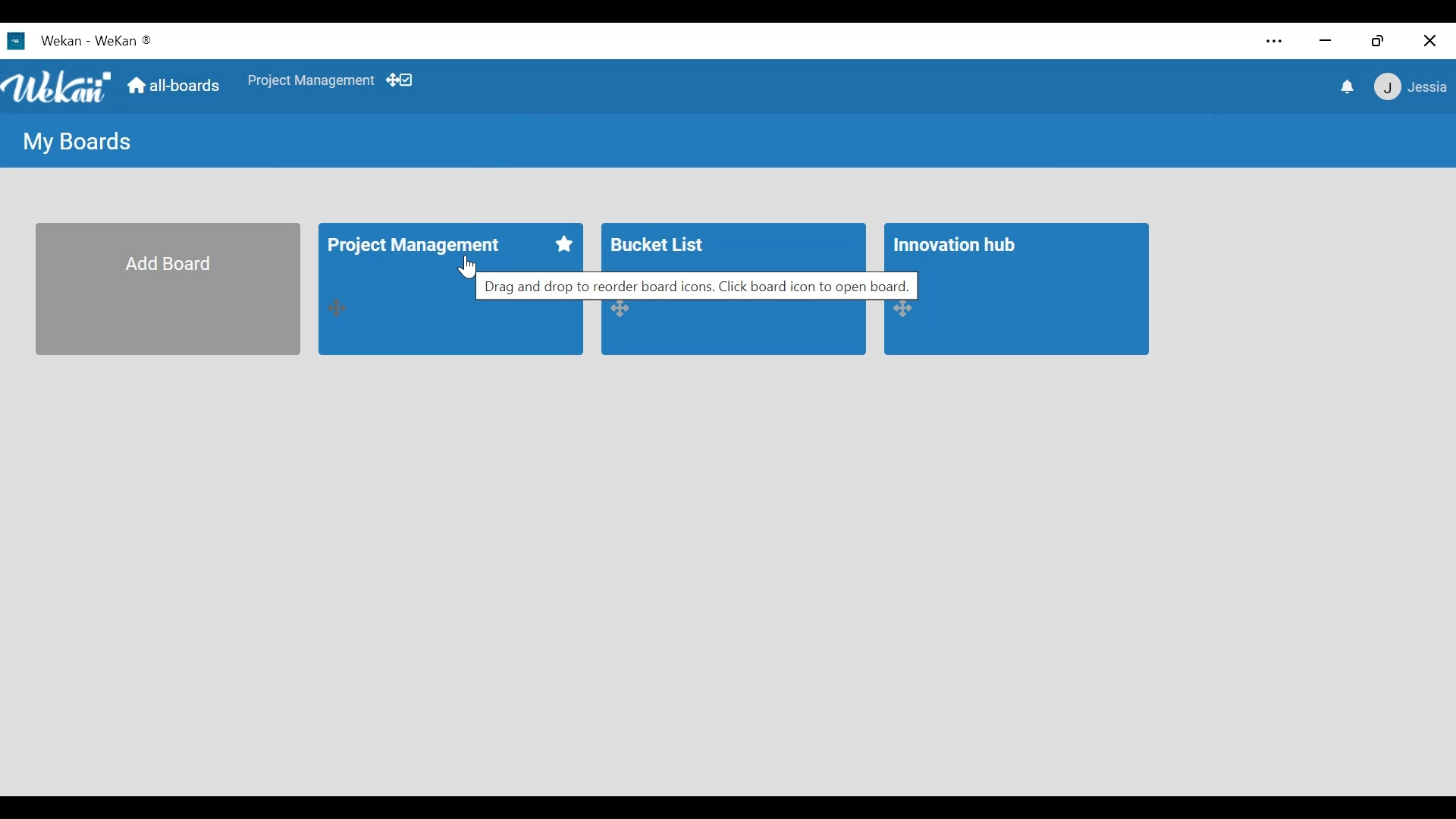 The width and height of the screenshot is (1456, 819). I want to click on Innovation Hub, so click(957, 244).